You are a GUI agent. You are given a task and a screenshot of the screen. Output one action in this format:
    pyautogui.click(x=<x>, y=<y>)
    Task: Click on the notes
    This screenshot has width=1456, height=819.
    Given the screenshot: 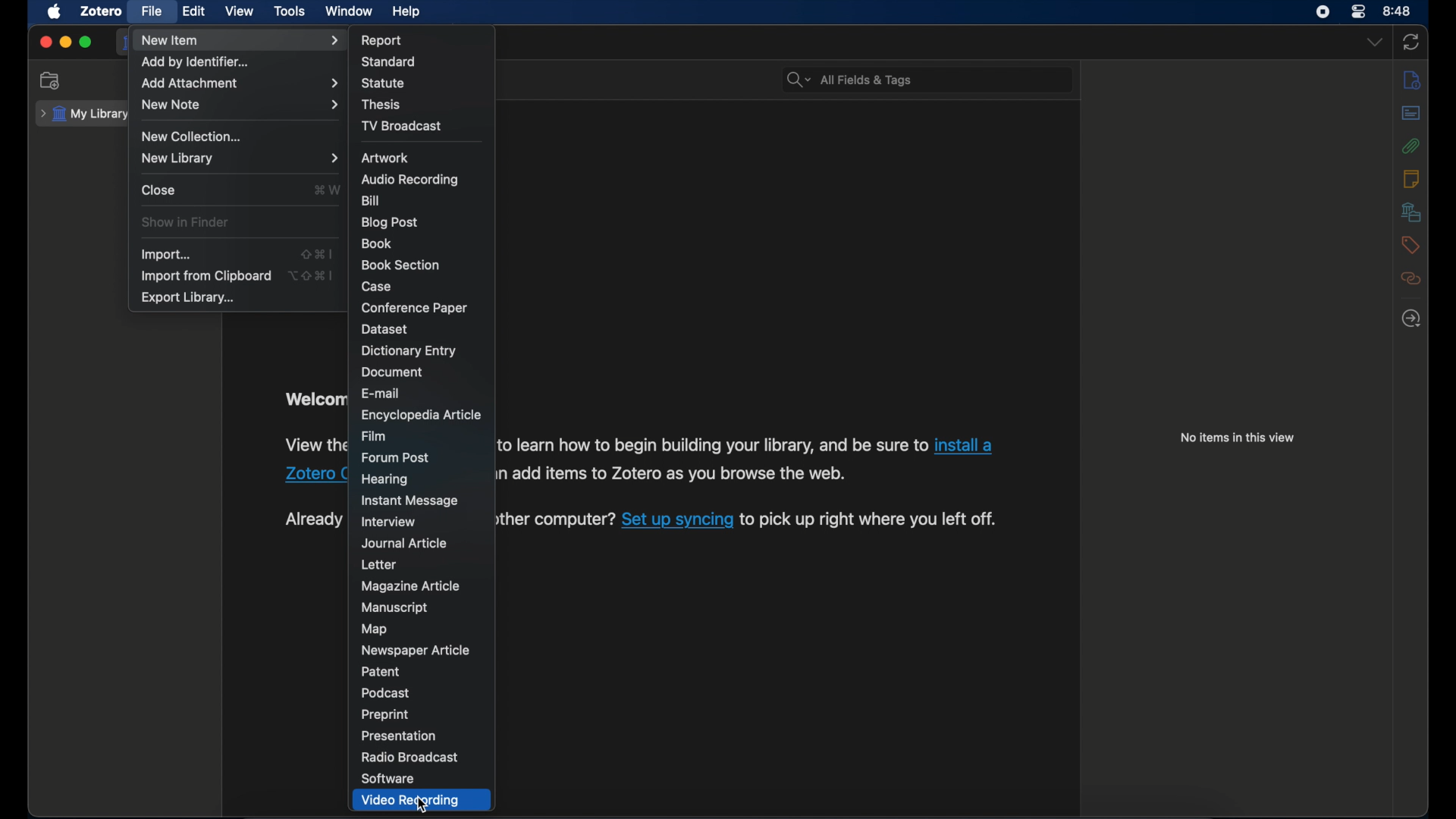 What is the action you would take?
    pyautogui.click(x=1410, y=178)
    